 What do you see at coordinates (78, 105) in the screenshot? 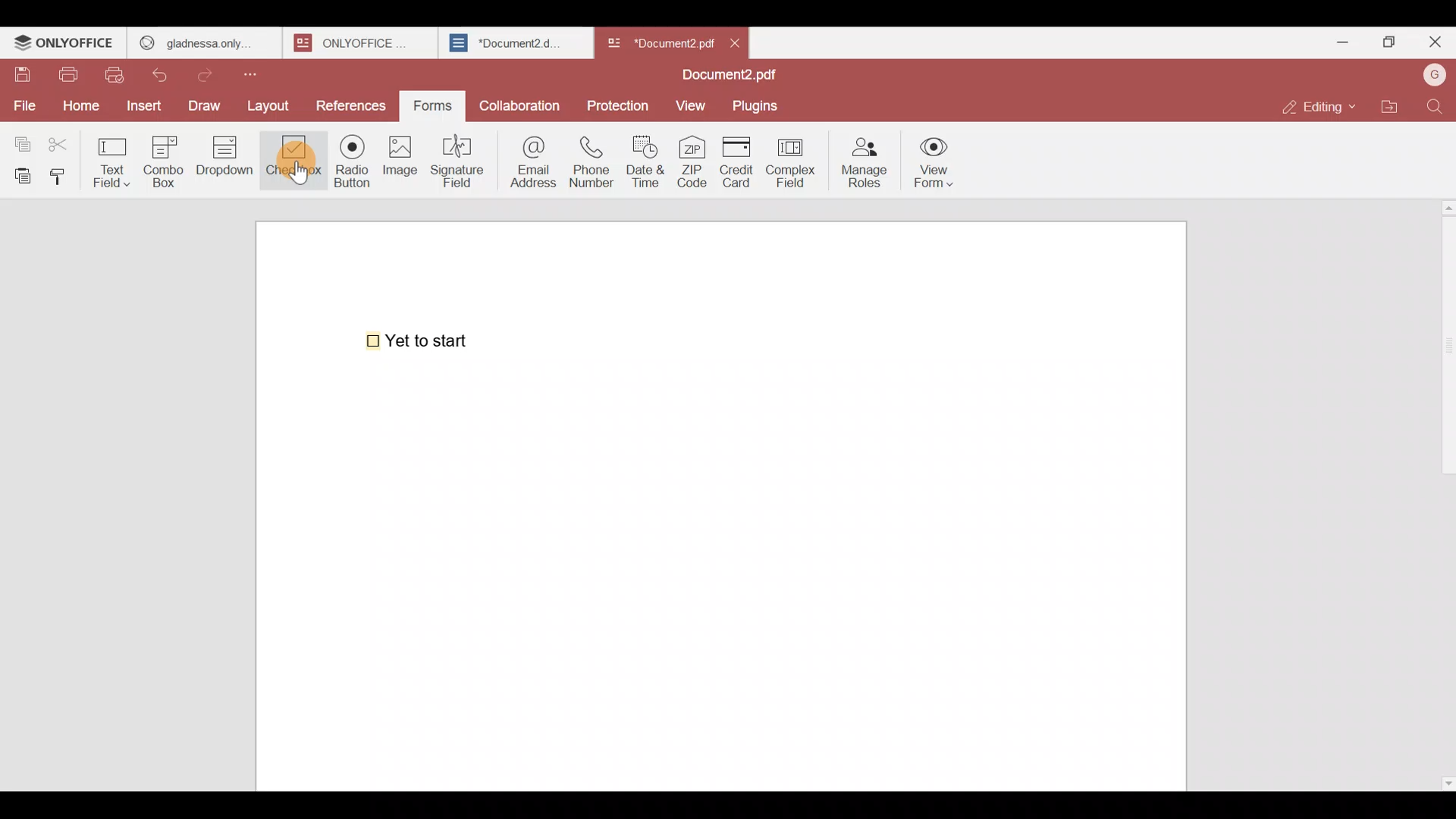
I see `Home` at bounding box center [78, 105].